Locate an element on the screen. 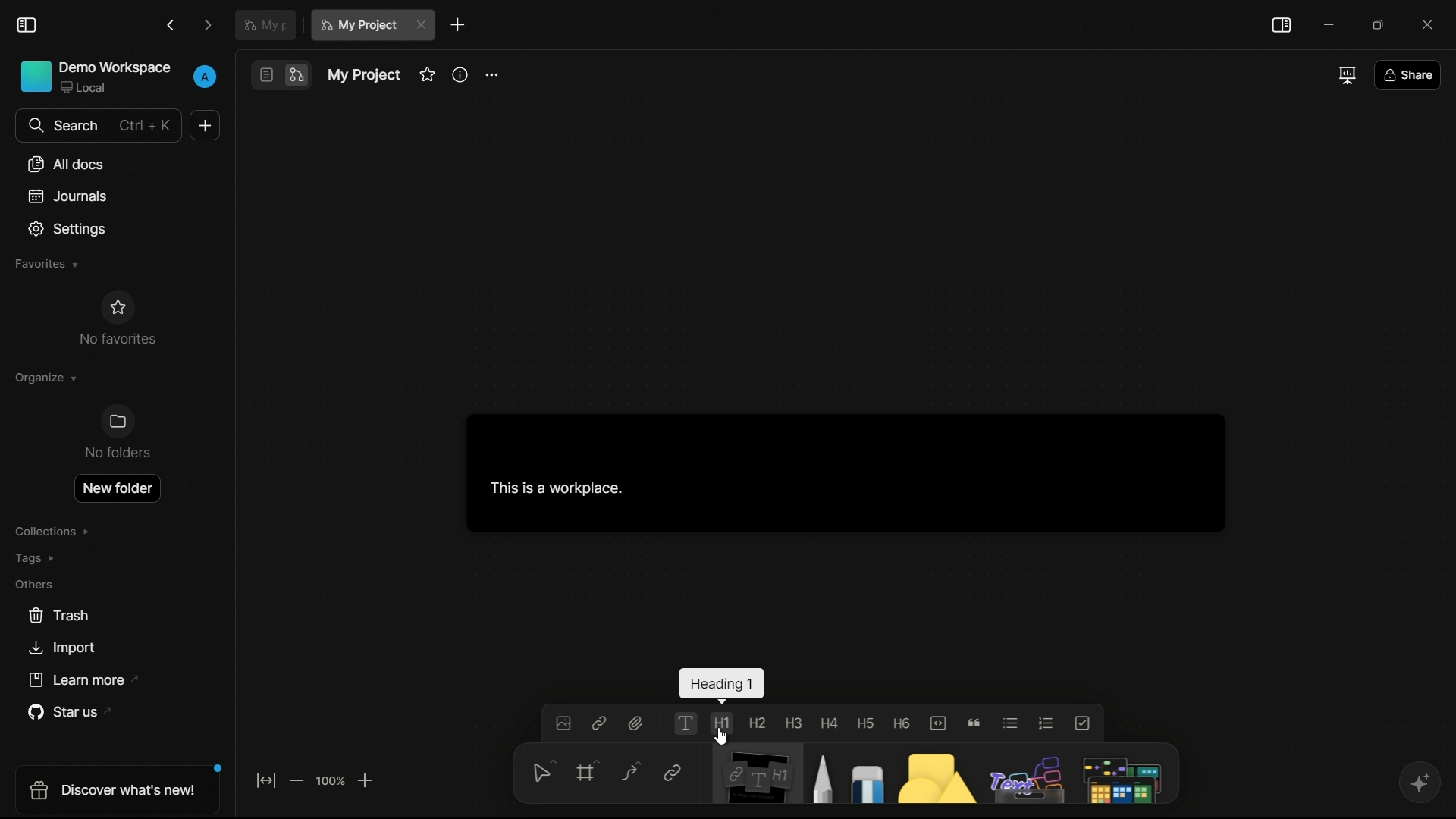 The height and width of the screenshot is (819, 1456). ai assistant is located at coordinates (1417, 783).